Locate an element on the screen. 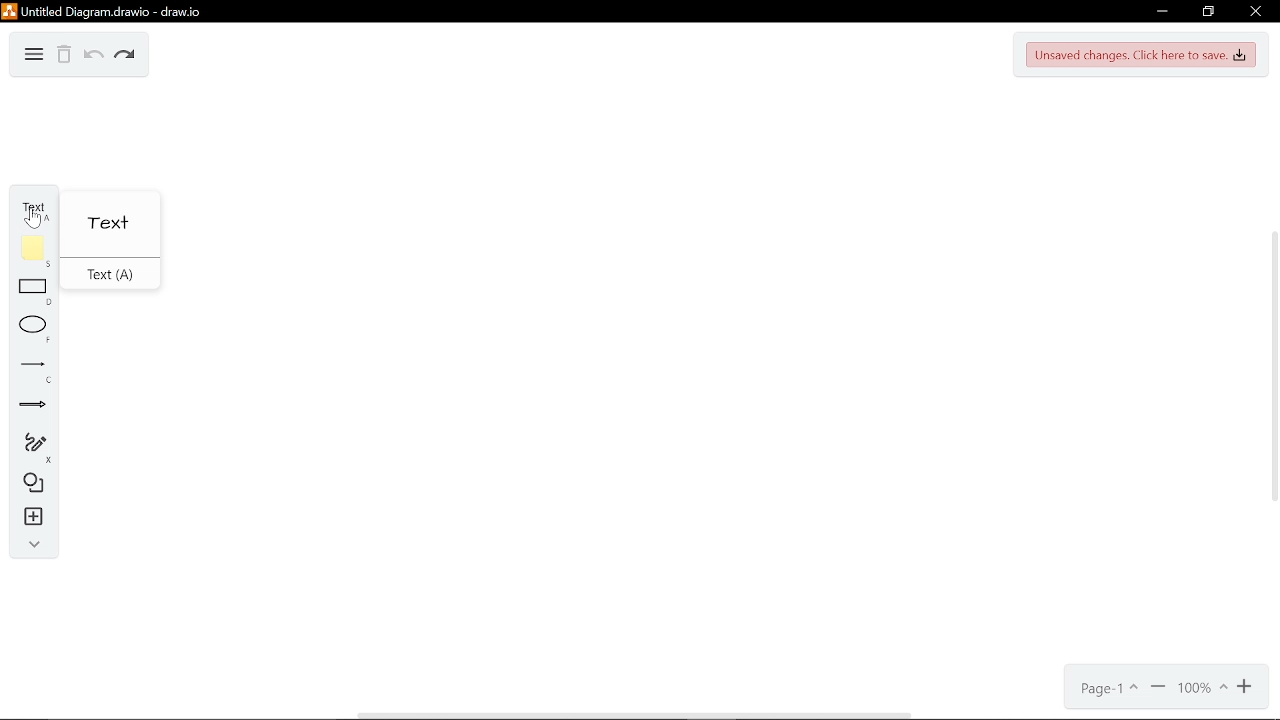  Rectangle is located at coordinates (28, 293).